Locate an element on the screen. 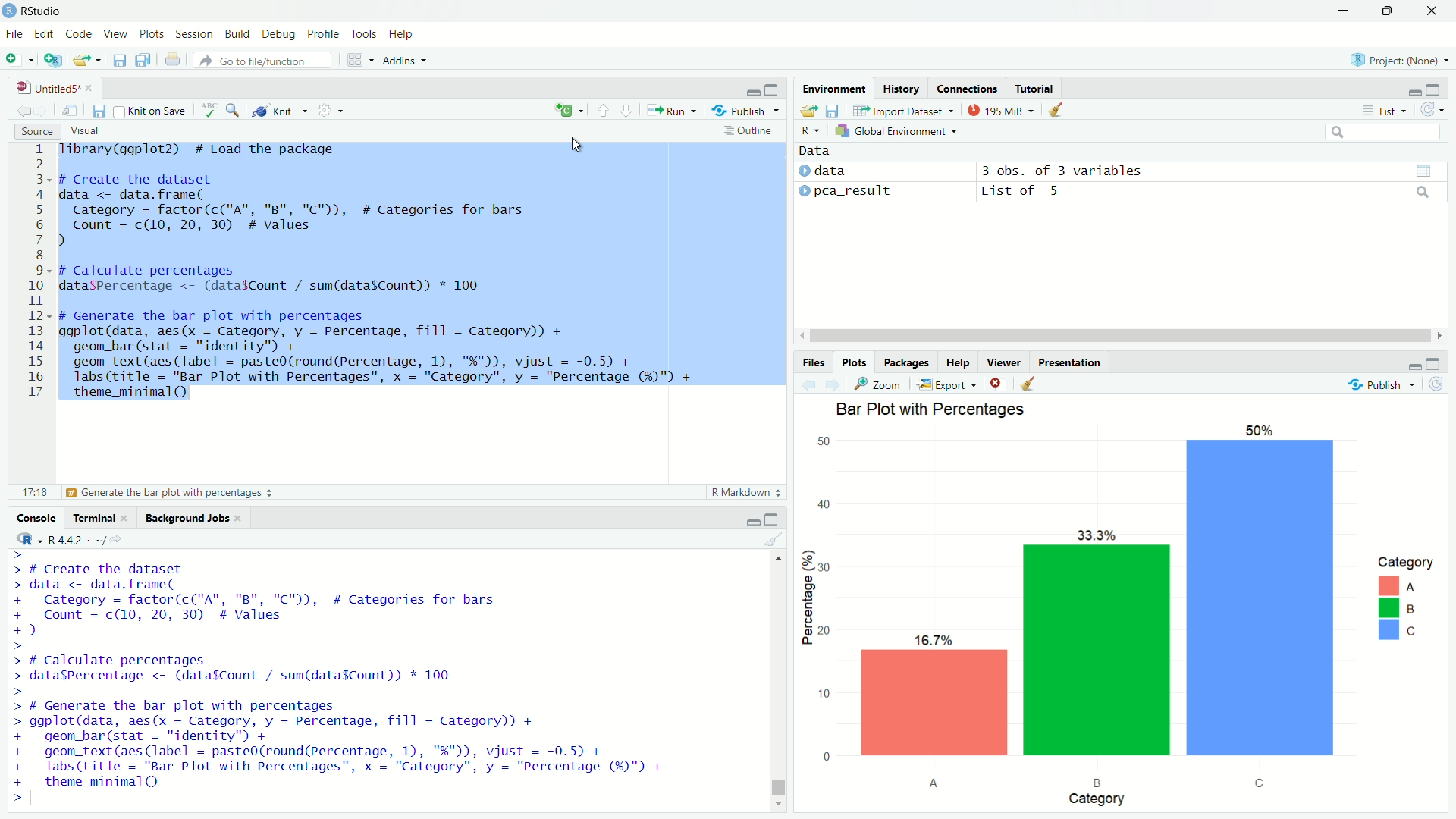 The height and width of the screenshot is (819, 1456). go to file/function is located at coordinates (264, 59).